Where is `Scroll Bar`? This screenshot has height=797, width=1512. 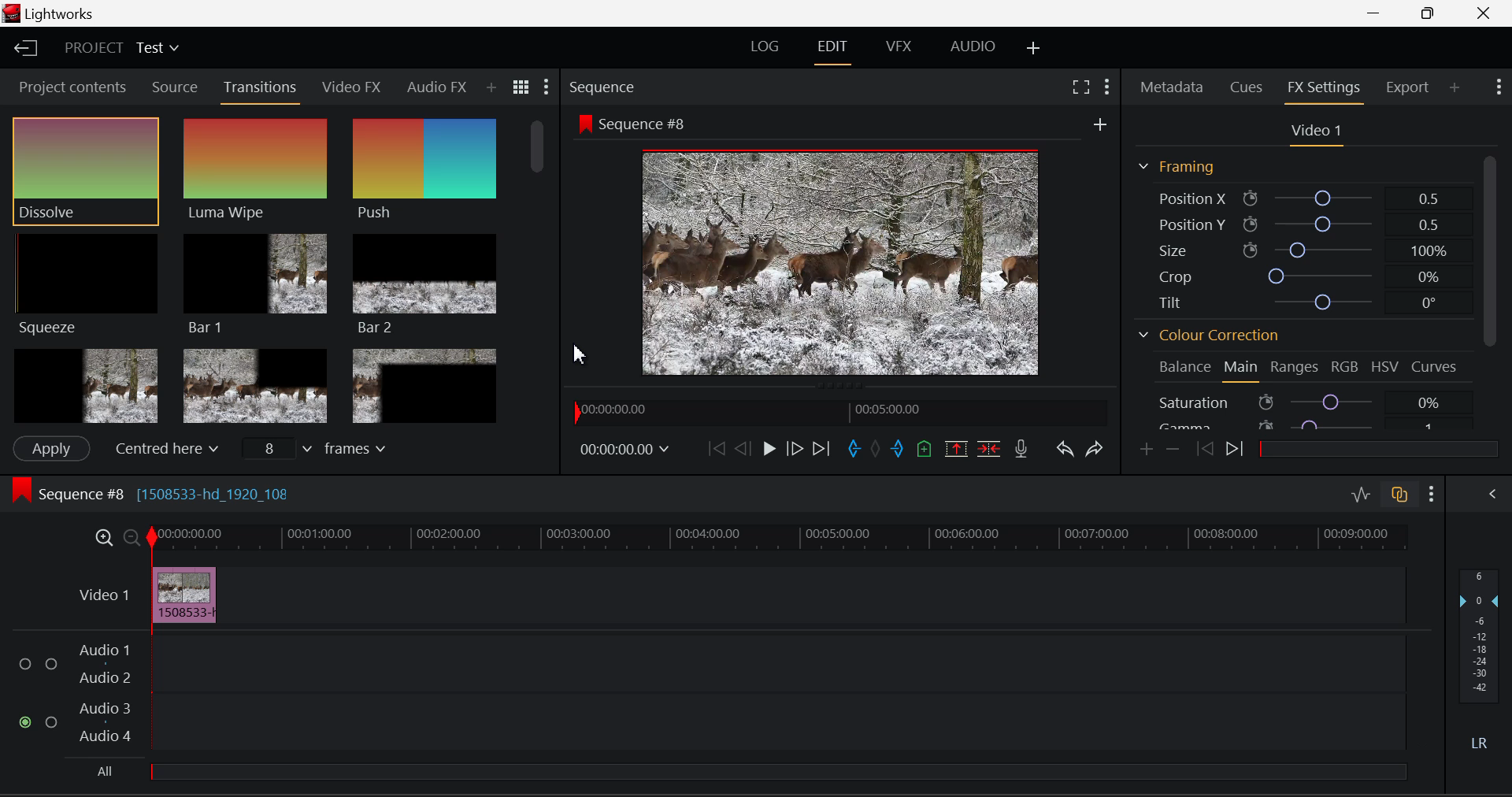 Scroll Bar is located at coordinates (540, 268).